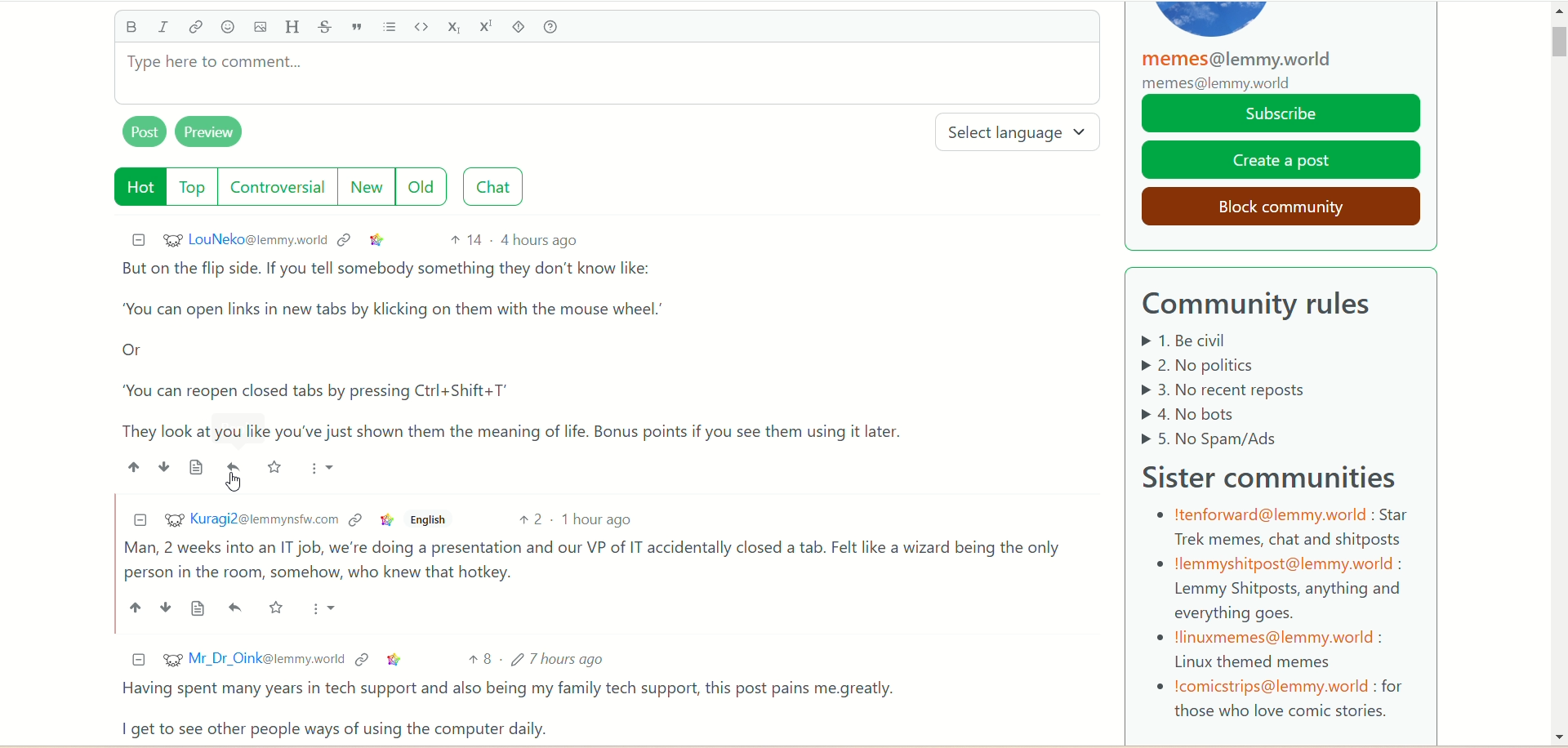 This screenshot has width=1568, height=748. What do you see at coordinates (541, 239) in the screenshot?
I see `4 hours ago (post date)` at bounding box center [541, 239].